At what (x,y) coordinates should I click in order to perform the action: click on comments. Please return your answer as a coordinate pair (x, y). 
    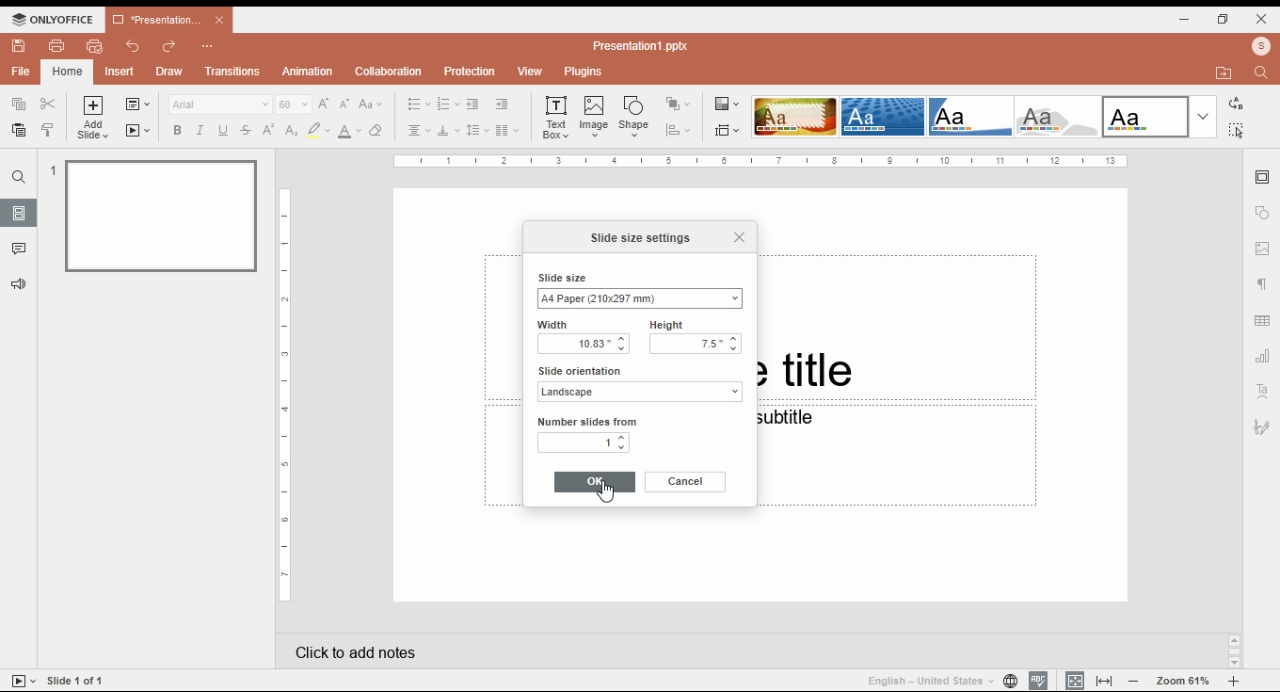
    Looking at the image, I should click on (19, 249).